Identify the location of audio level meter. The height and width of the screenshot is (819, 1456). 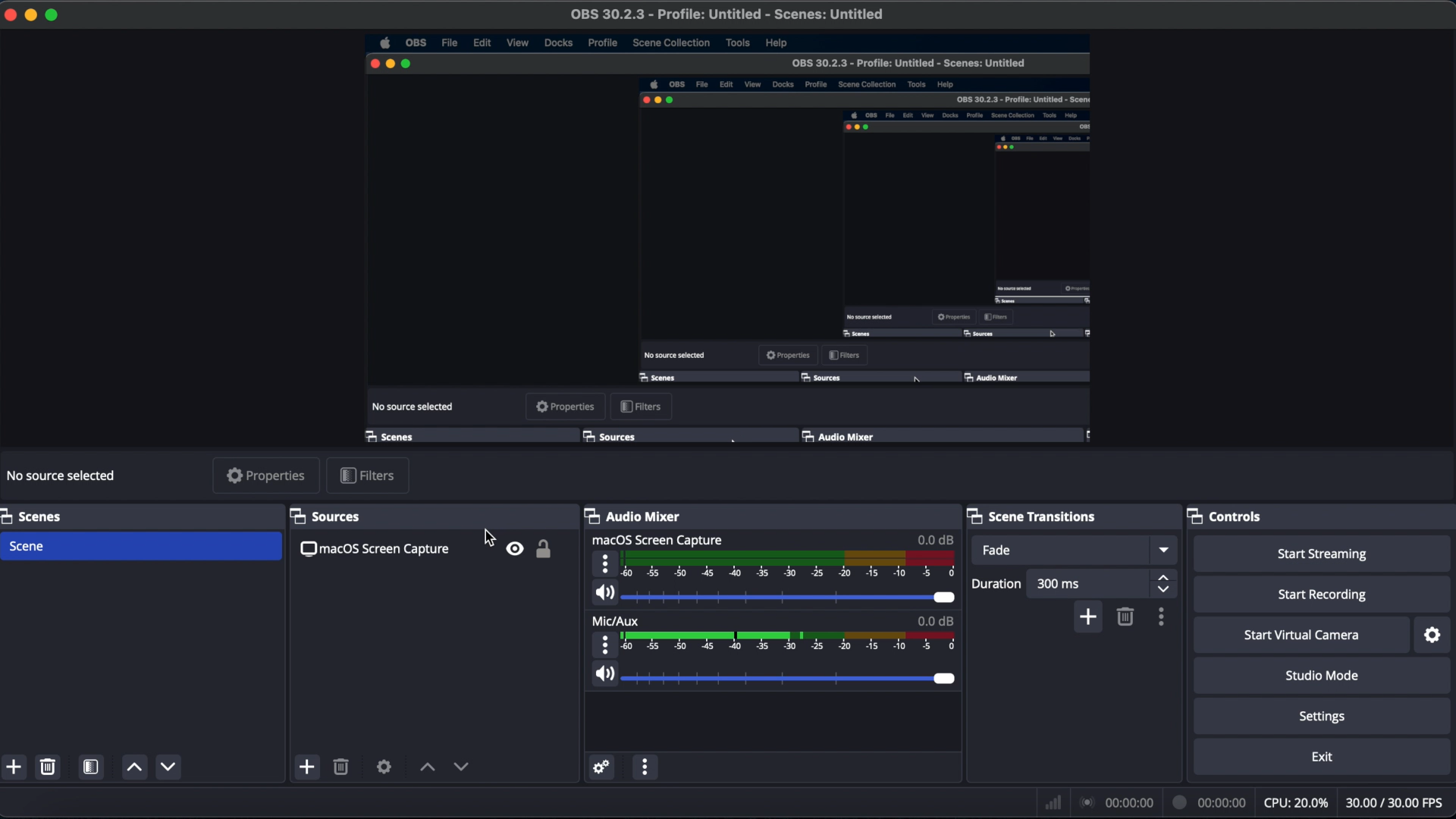
(791, 566).